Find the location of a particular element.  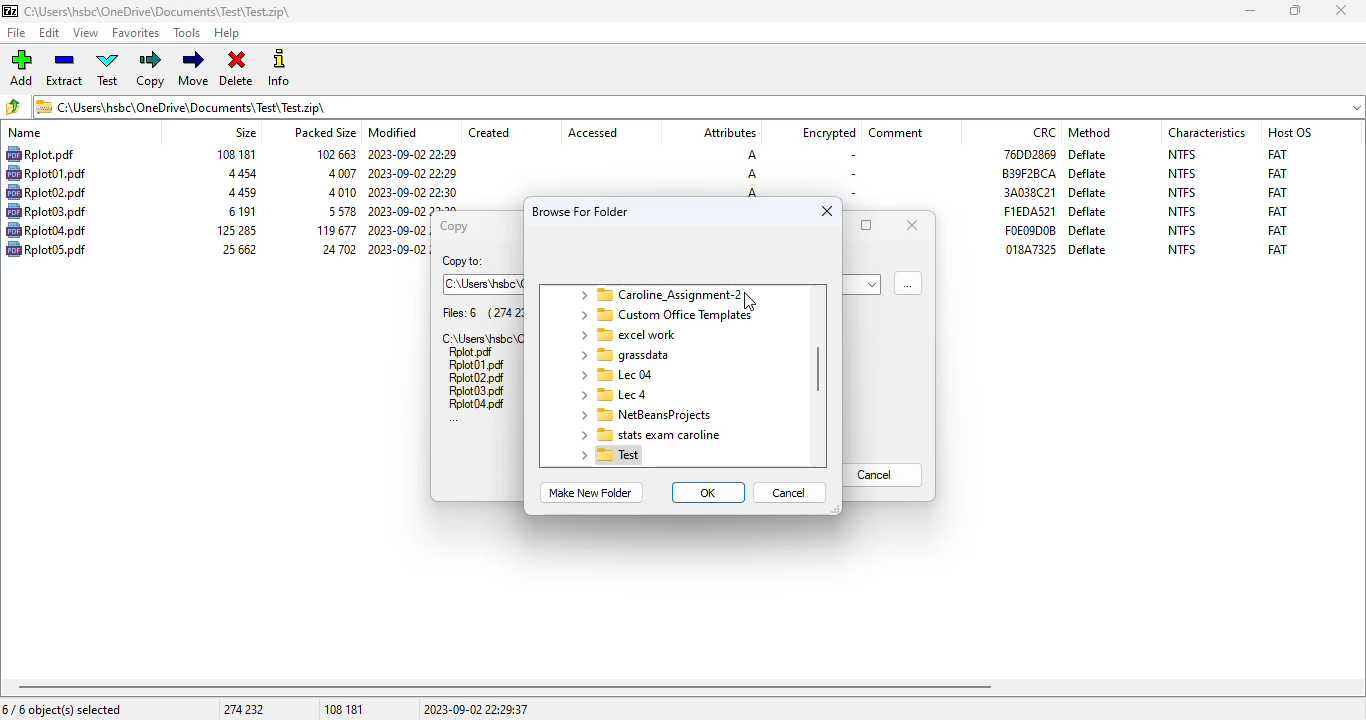

CRC is located at coordinates (1045, 132).